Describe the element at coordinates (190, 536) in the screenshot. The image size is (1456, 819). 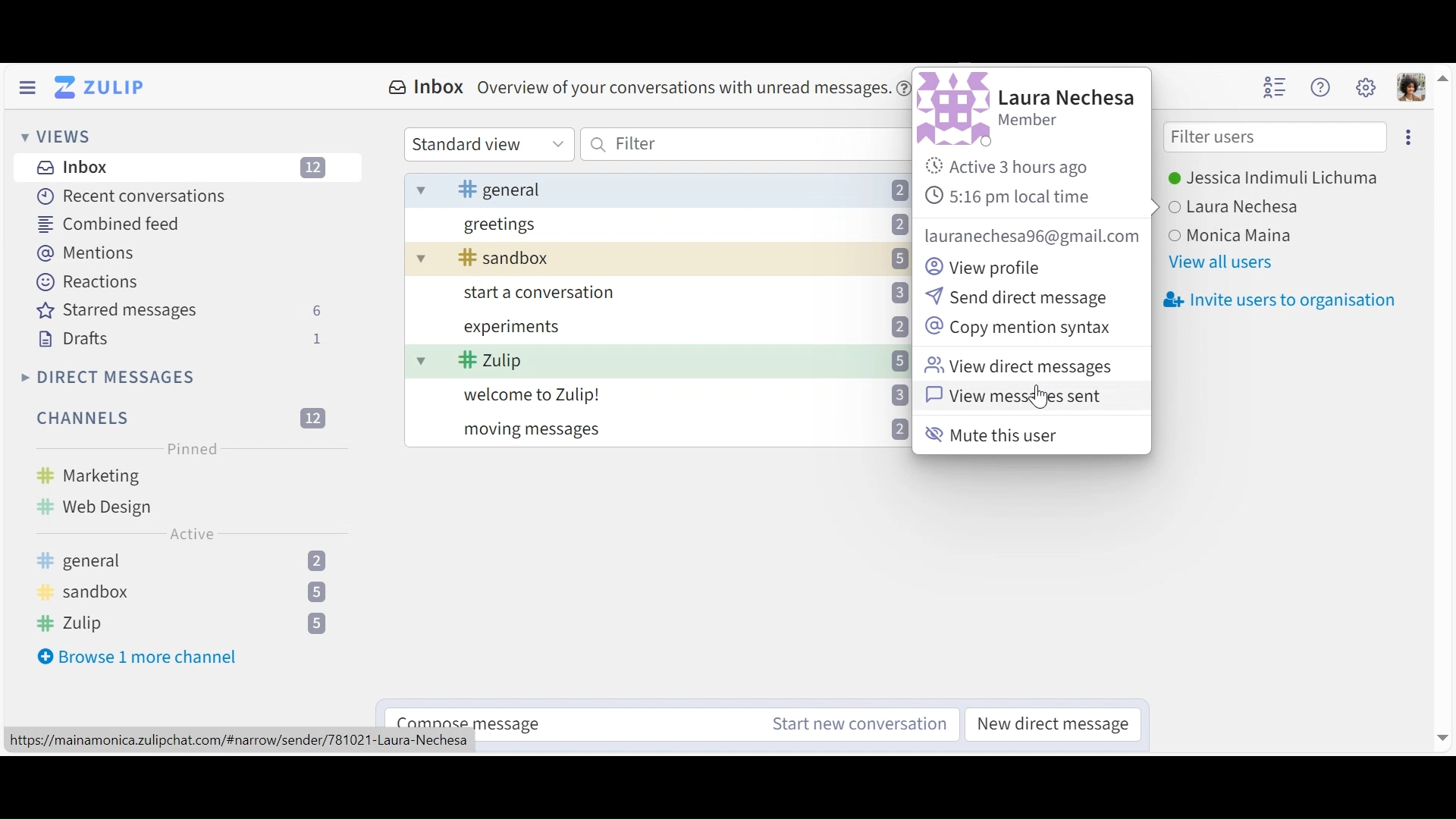
I see `Active` at that location.